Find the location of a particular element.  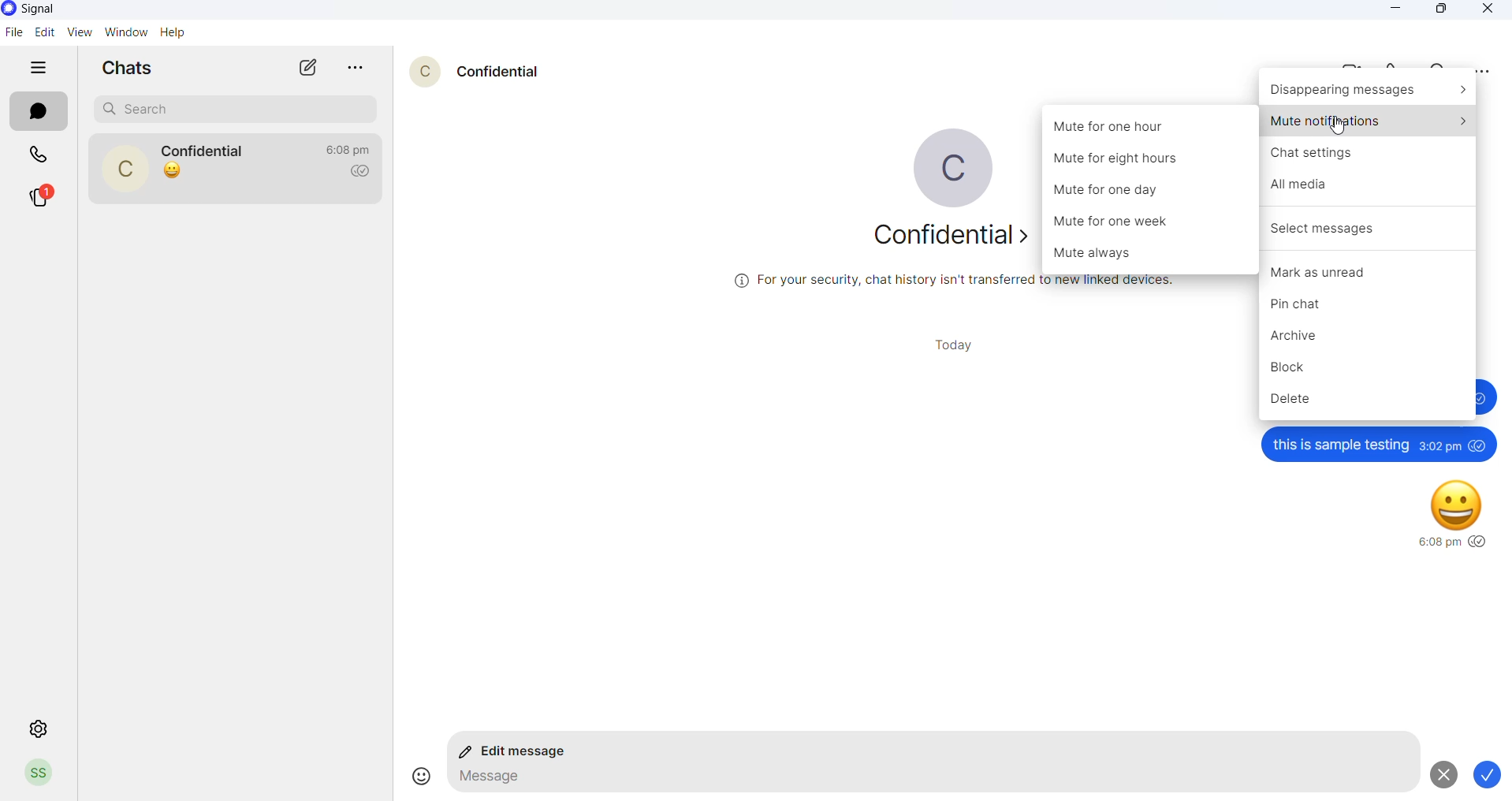

block is located at coordinates (1369, 370).